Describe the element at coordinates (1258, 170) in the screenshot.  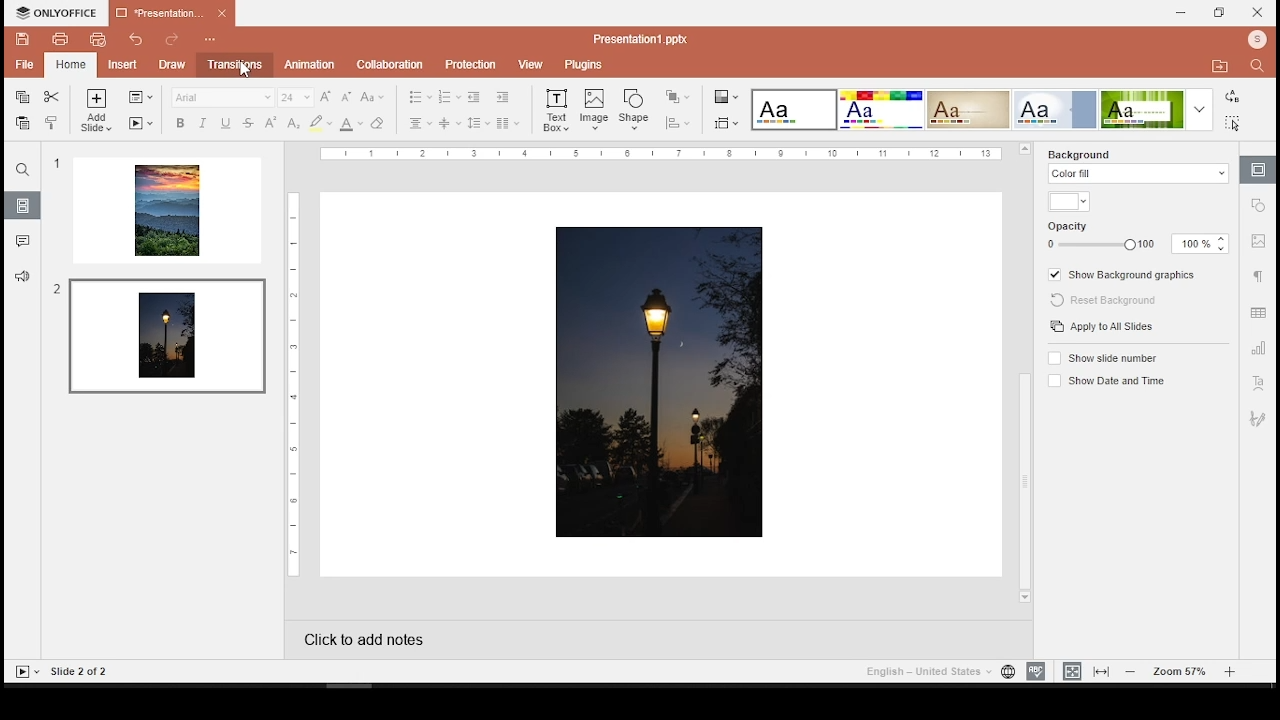
I see `slide settings` at that location.